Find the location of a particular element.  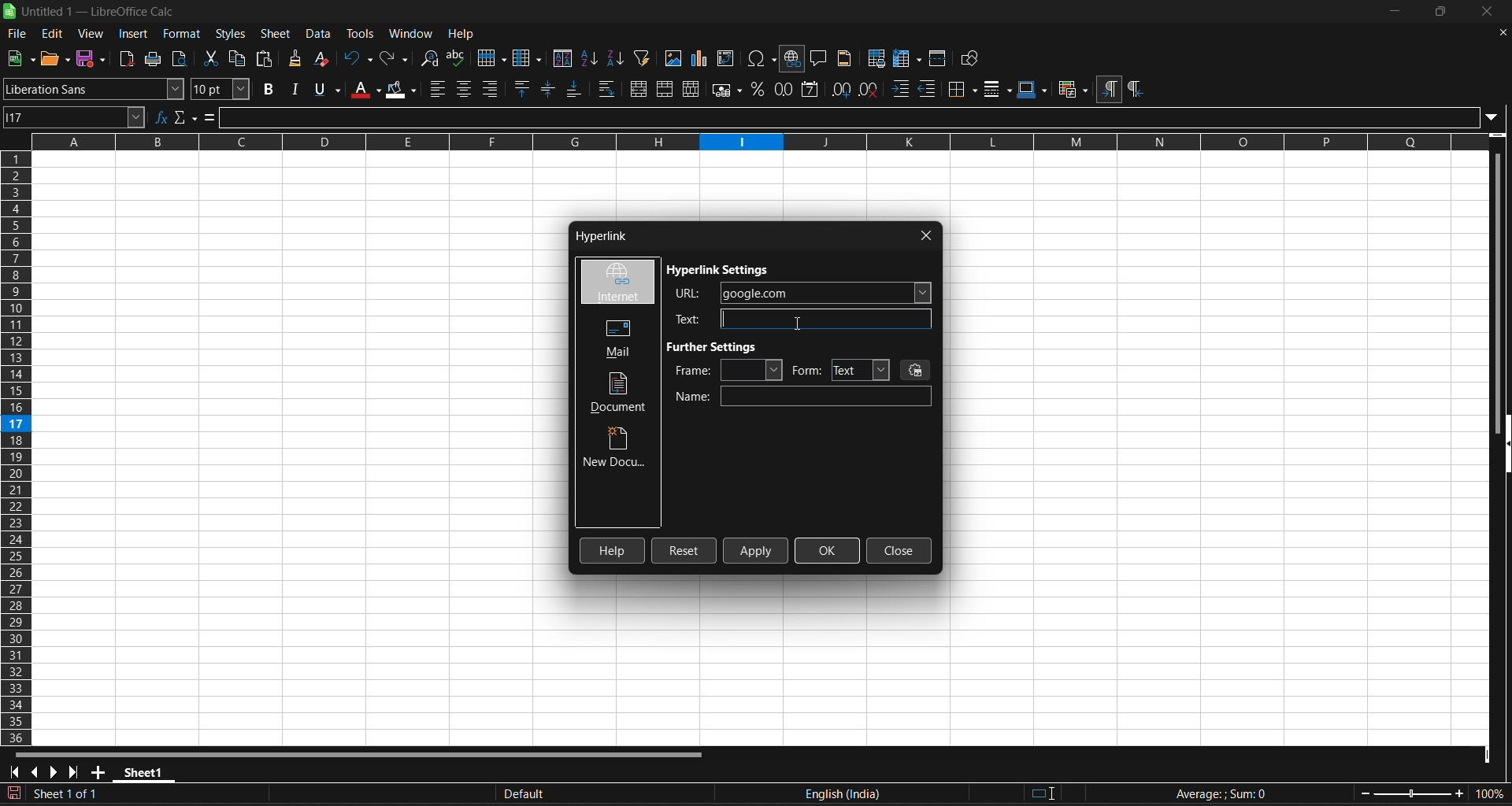

add new sheet is located at coordinates (97, 772).